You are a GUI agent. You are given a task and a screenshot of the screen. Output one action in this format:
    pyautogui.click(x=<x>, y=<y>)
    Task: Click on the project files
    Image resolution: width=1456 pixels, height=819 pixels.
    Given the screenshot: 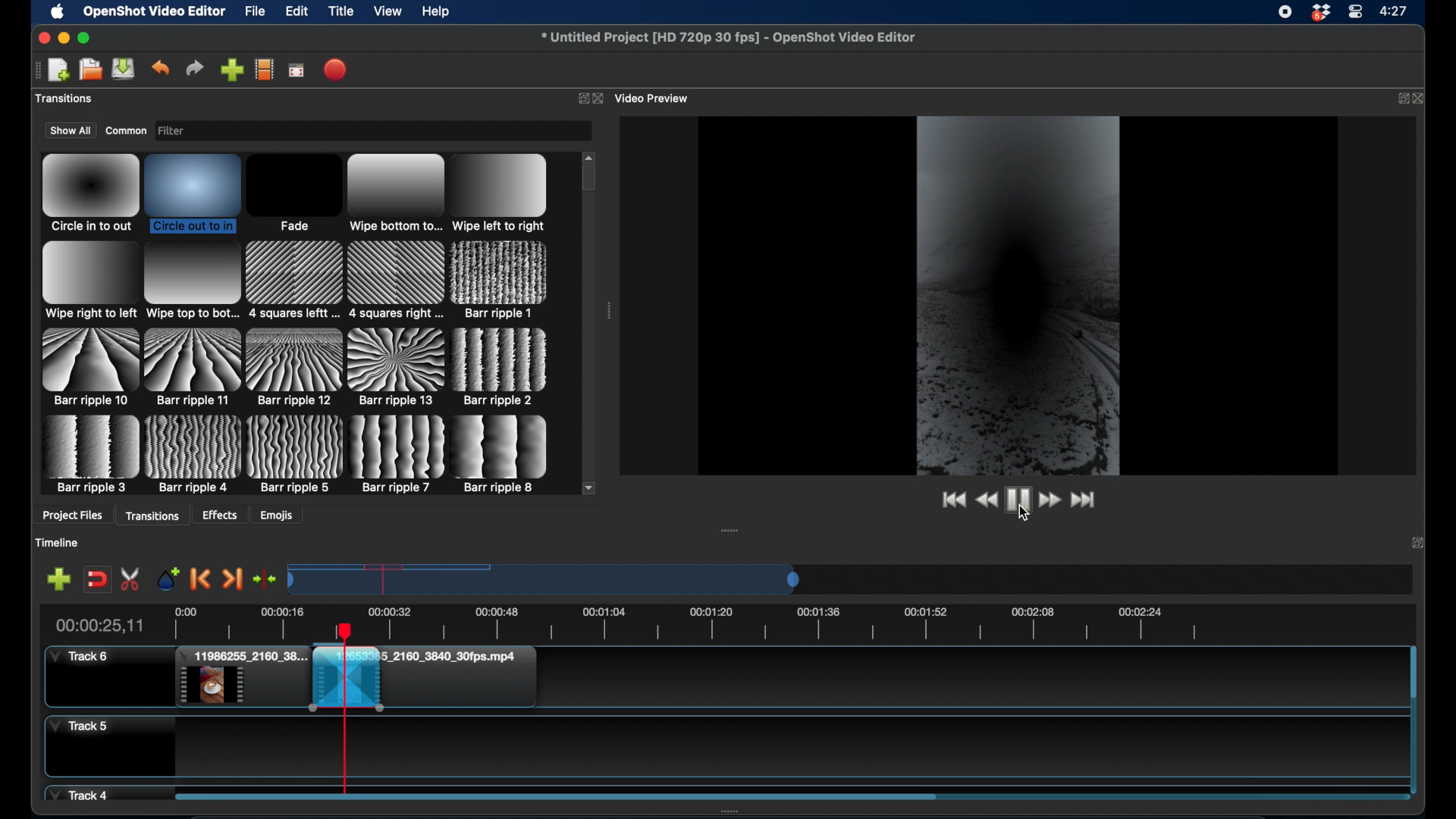 What is the action you would take?
    pyautogui.click(x=72, y=516)
    